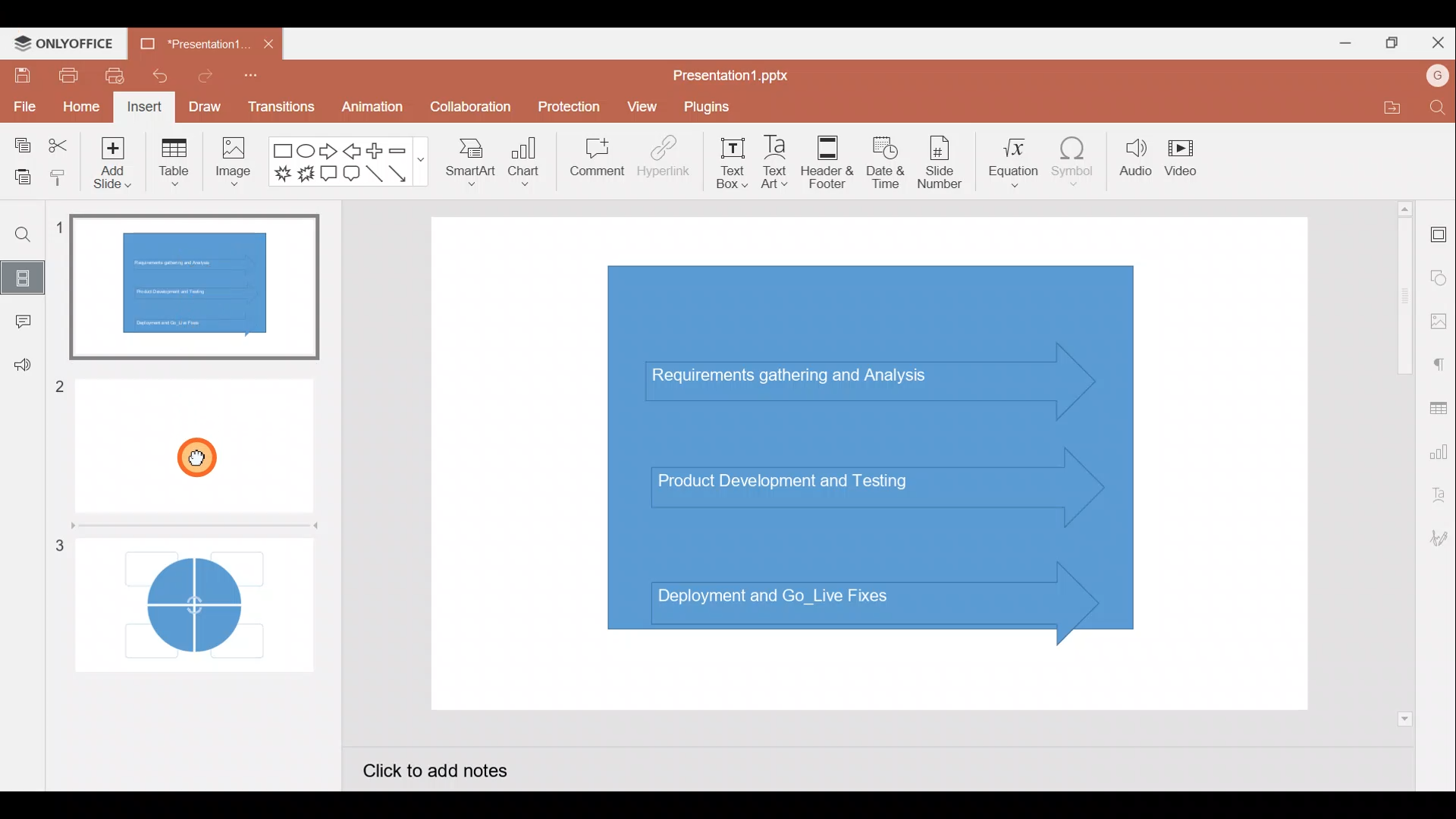  What do you see at coordinates (236, 168) in the screenshot?
I see `Image` at bounding box center [236, 168].